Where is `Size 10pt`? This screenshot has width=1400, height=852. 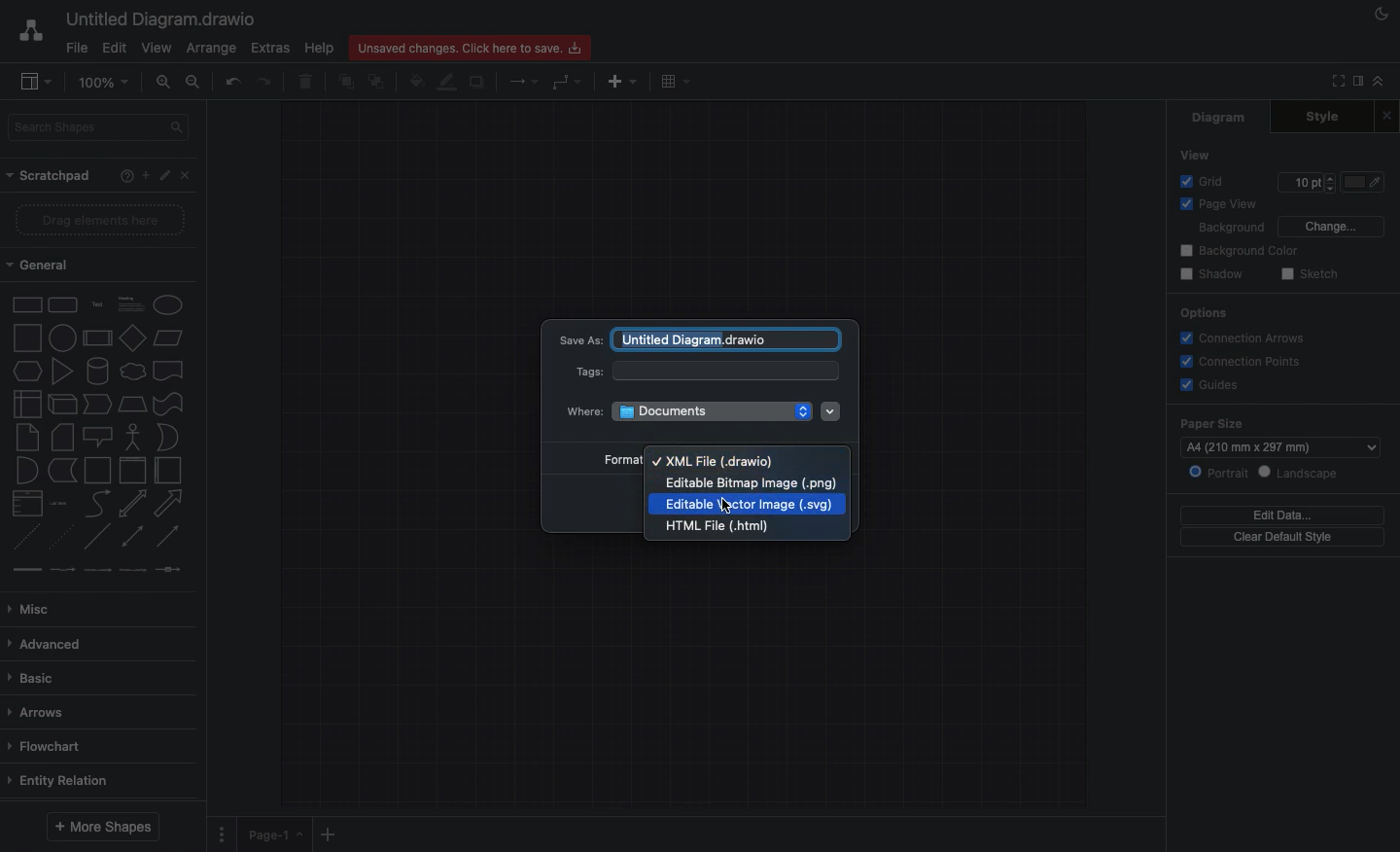
Size 10pt is located at coordinates (1307, 183).